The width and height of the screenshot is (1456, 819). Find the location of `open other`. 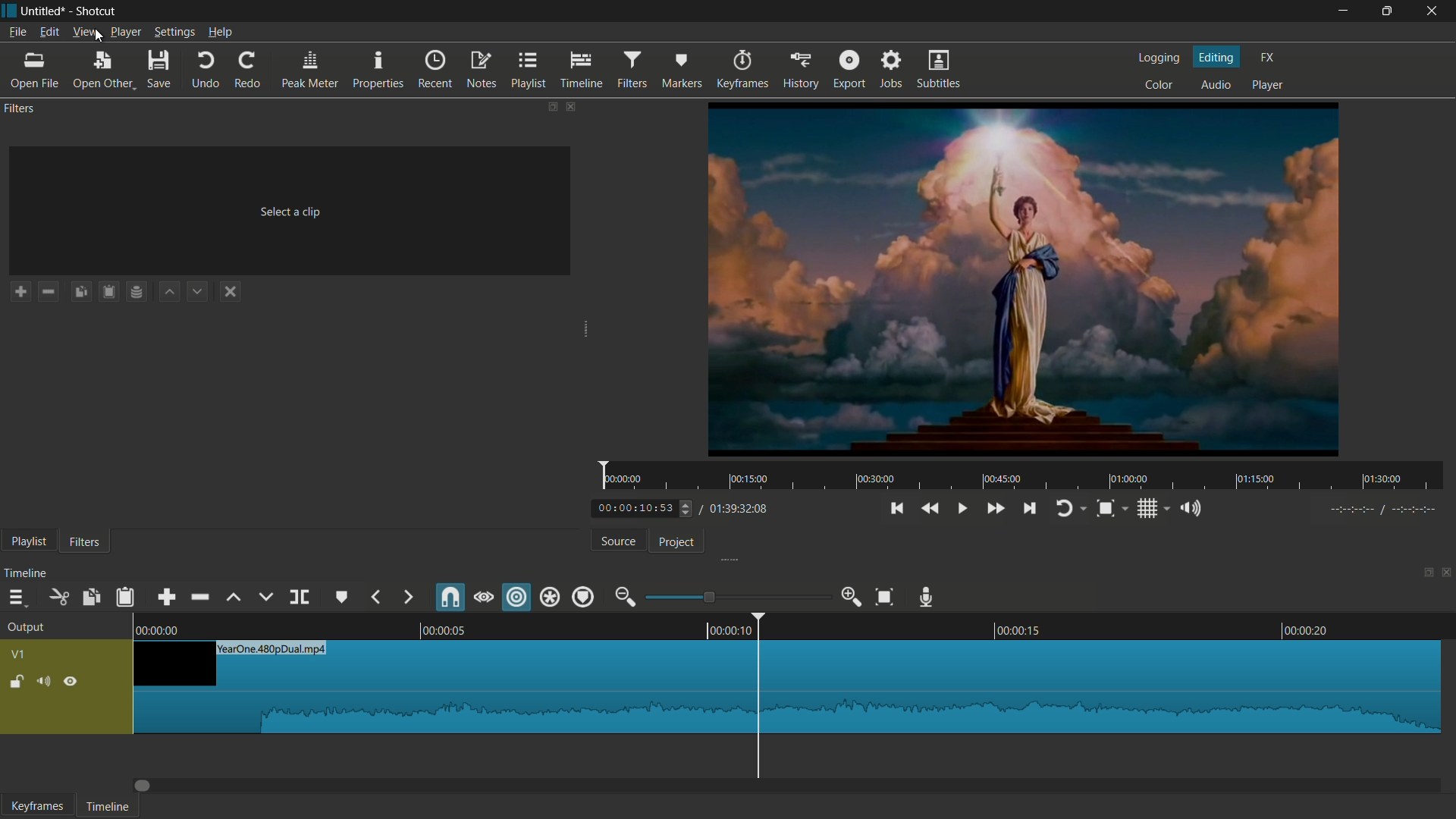

open other is located at coordinates (102, 71).